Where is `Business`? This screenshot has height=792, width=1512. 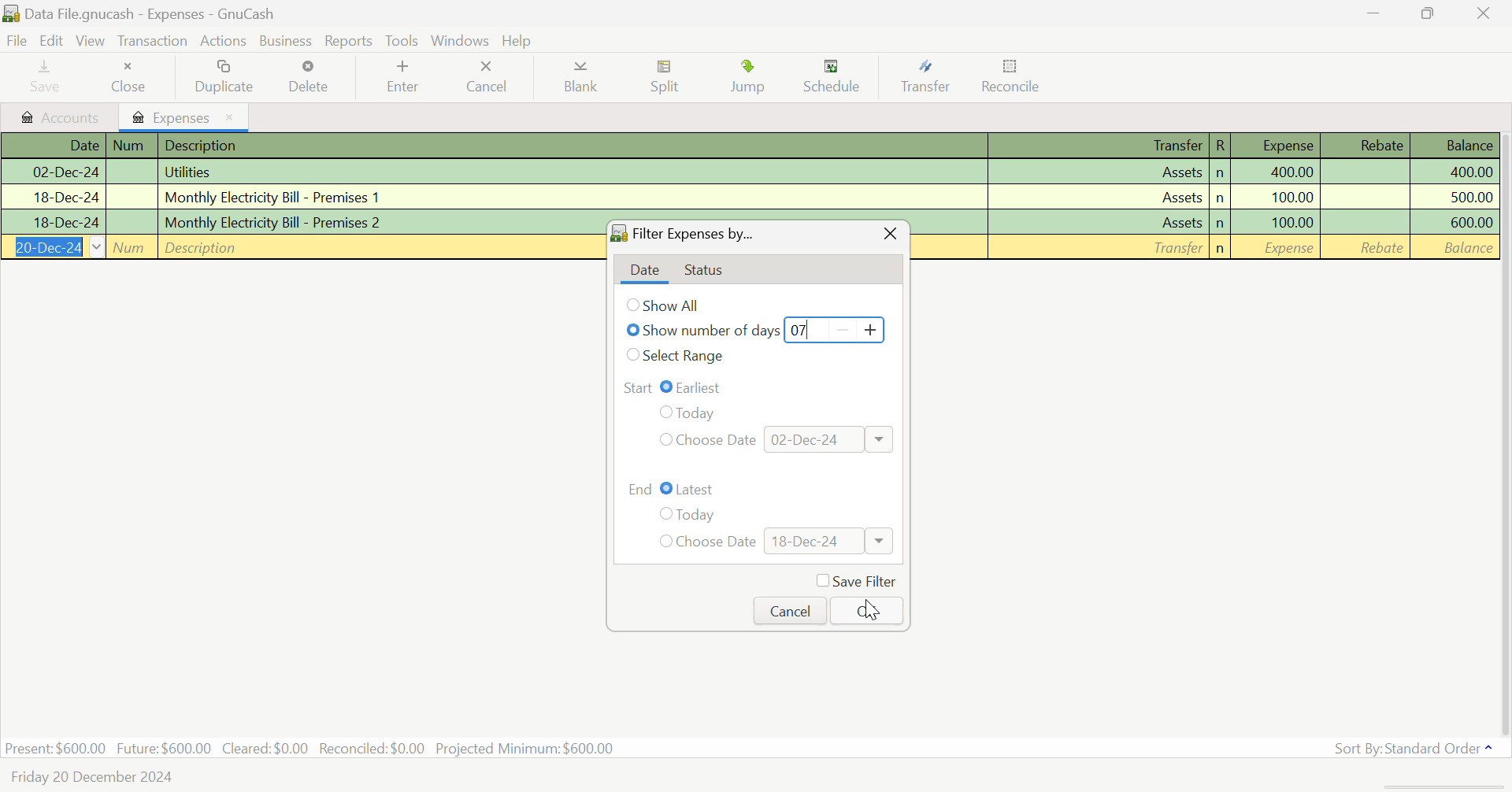
Business is located at coordinates (287, 41).